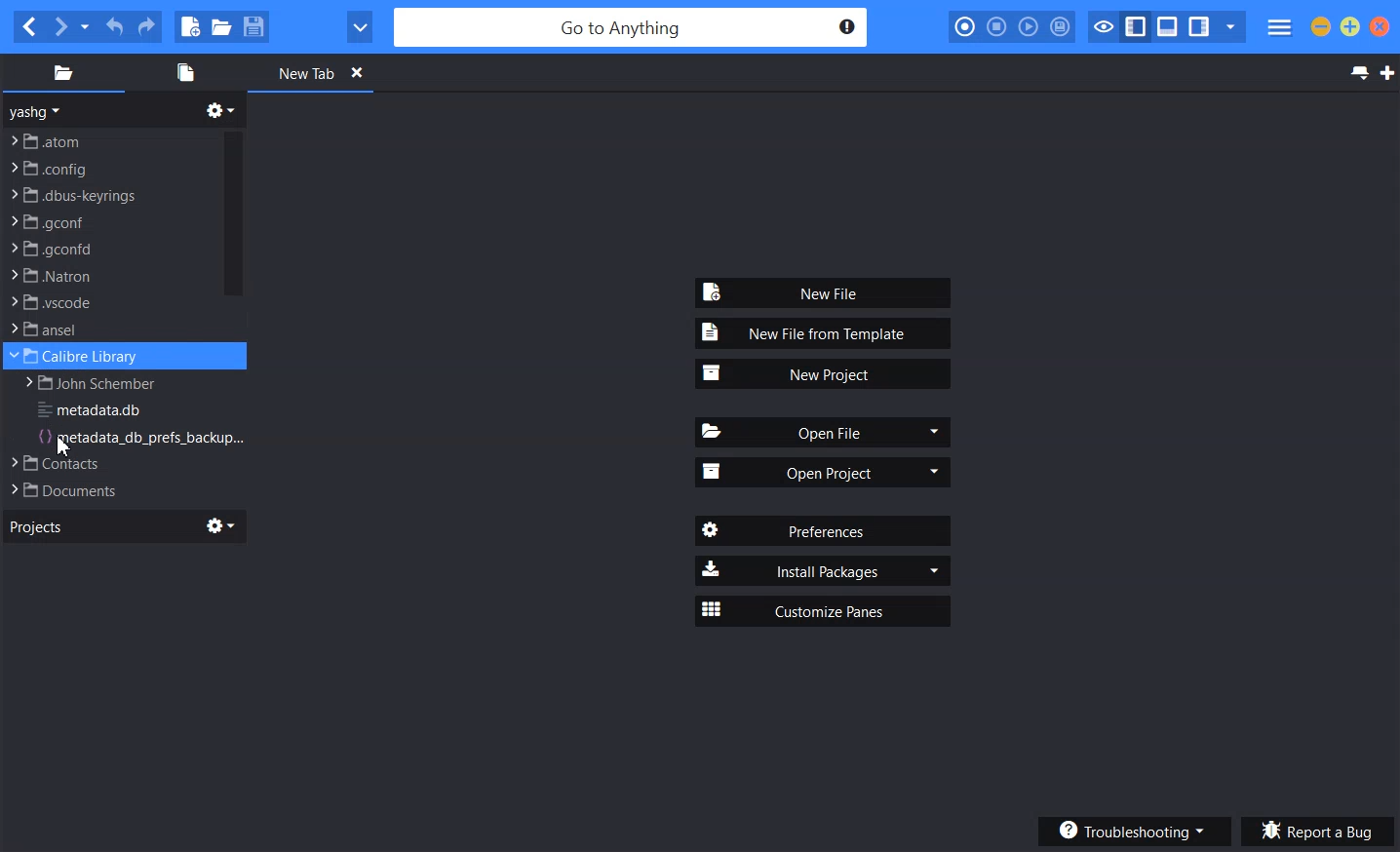 Image resolution: width=1400 pixels, height=852 pixels. What do you see at coordinates (1387, 73) in the screenshot?
I see `New Tab` at bounding box center [1387, 73].